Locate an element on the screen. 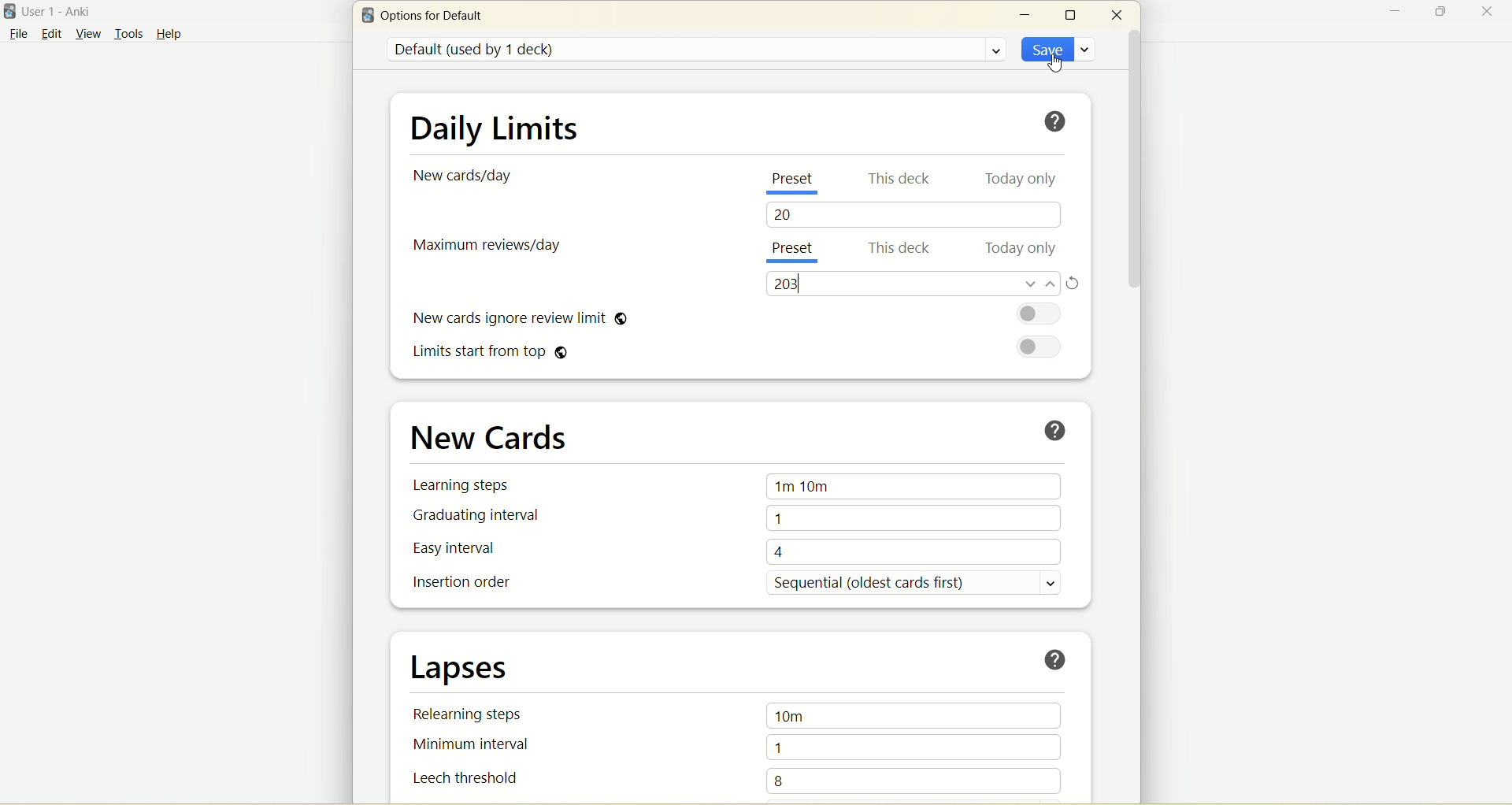  this deck is located at coordinates (902, 251).